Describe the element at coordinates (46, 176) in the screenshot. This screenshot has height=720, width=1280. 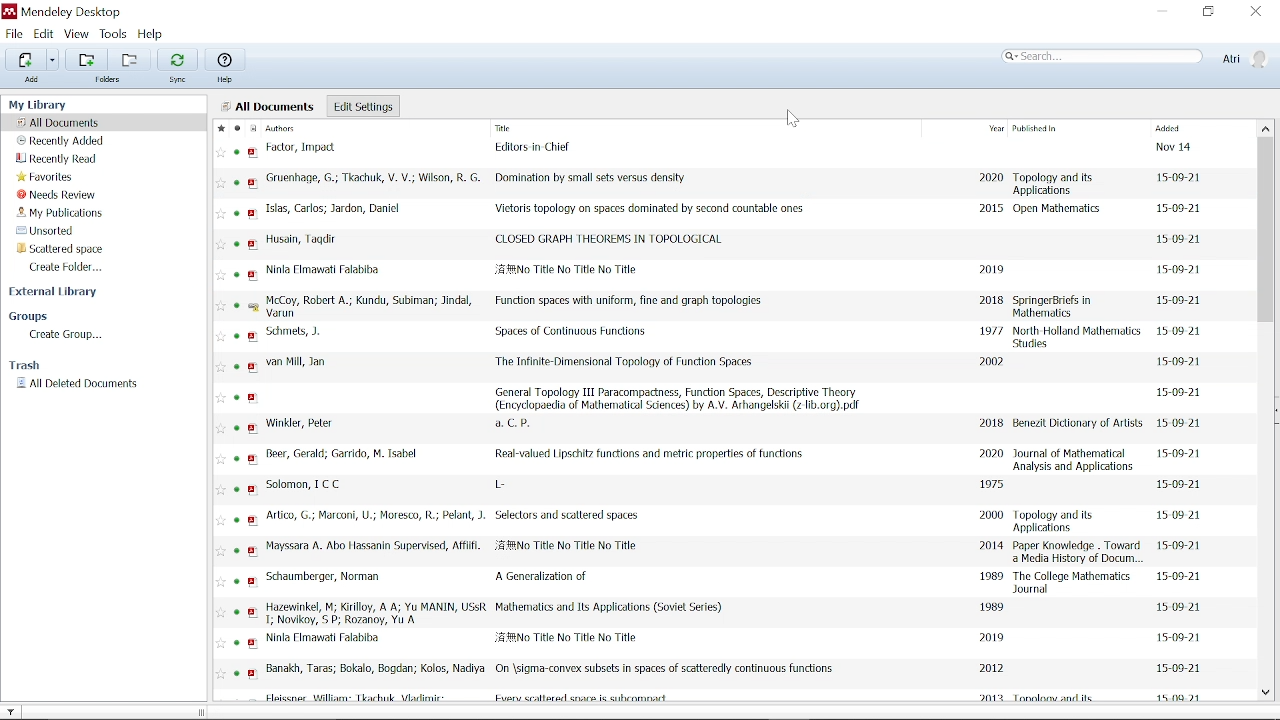
I see `Favorites` at that location.